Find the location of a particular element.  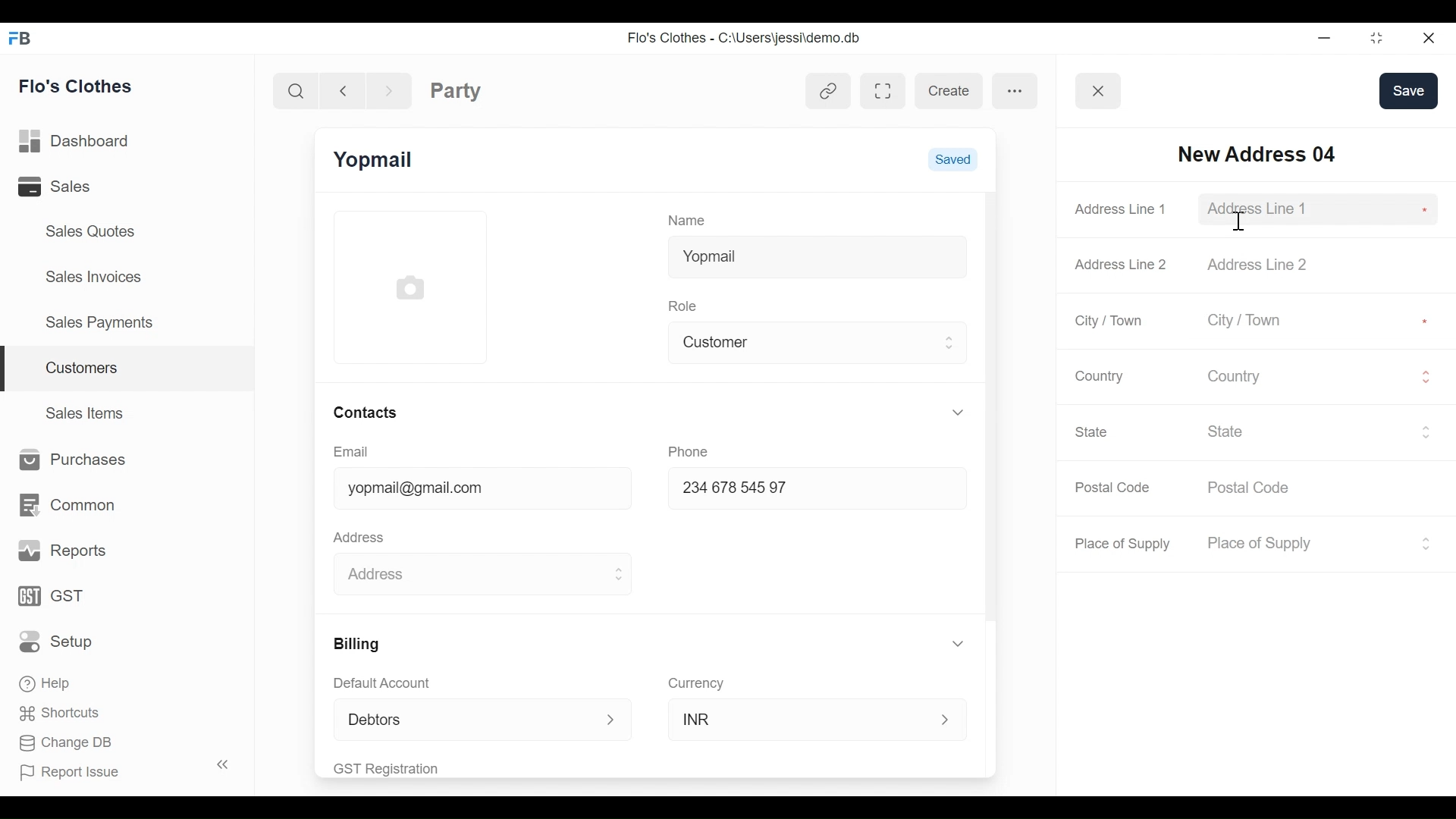

Search is located at coordinates (299, 90).